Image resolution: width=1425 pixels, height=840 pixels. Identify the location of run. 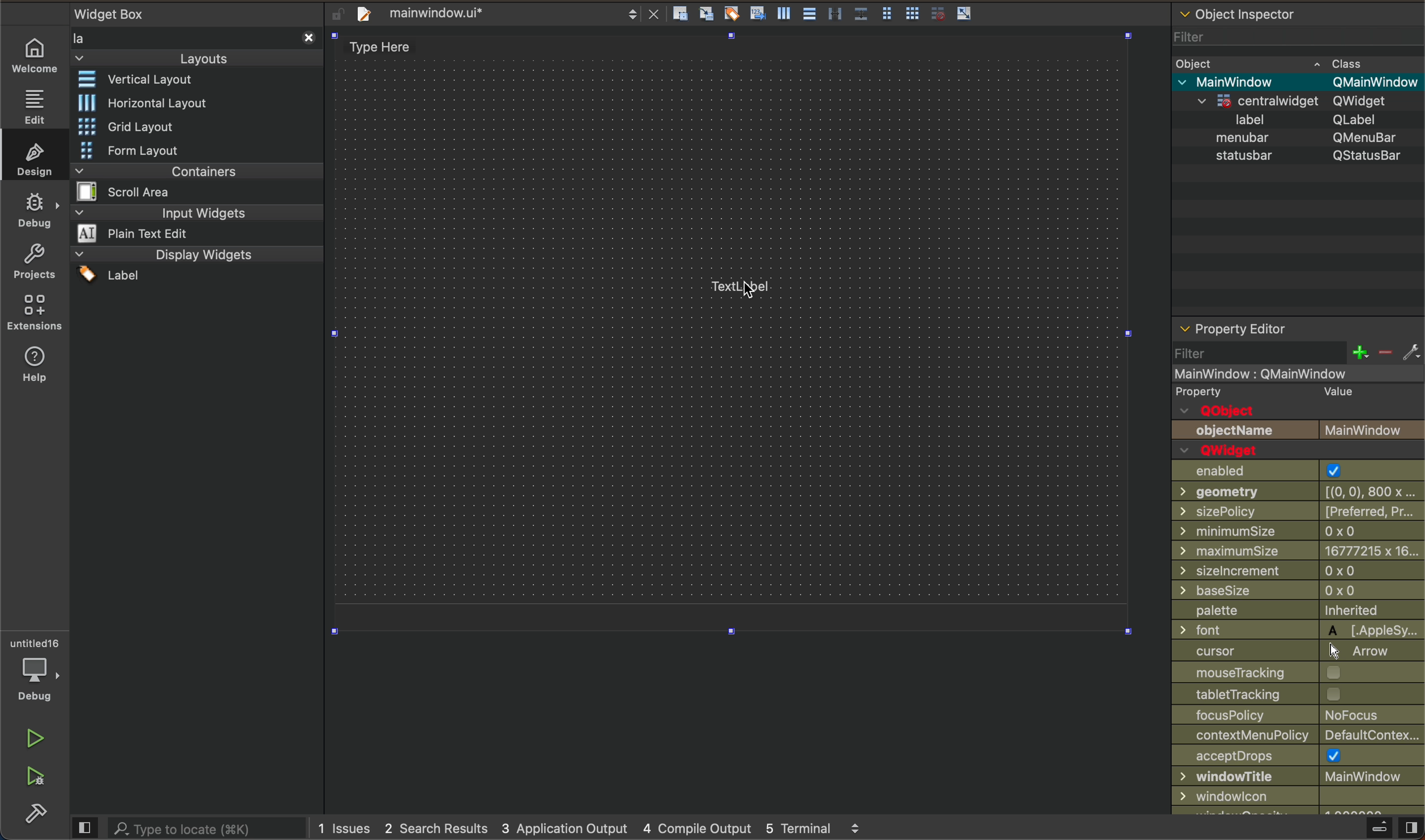
(36, 737).